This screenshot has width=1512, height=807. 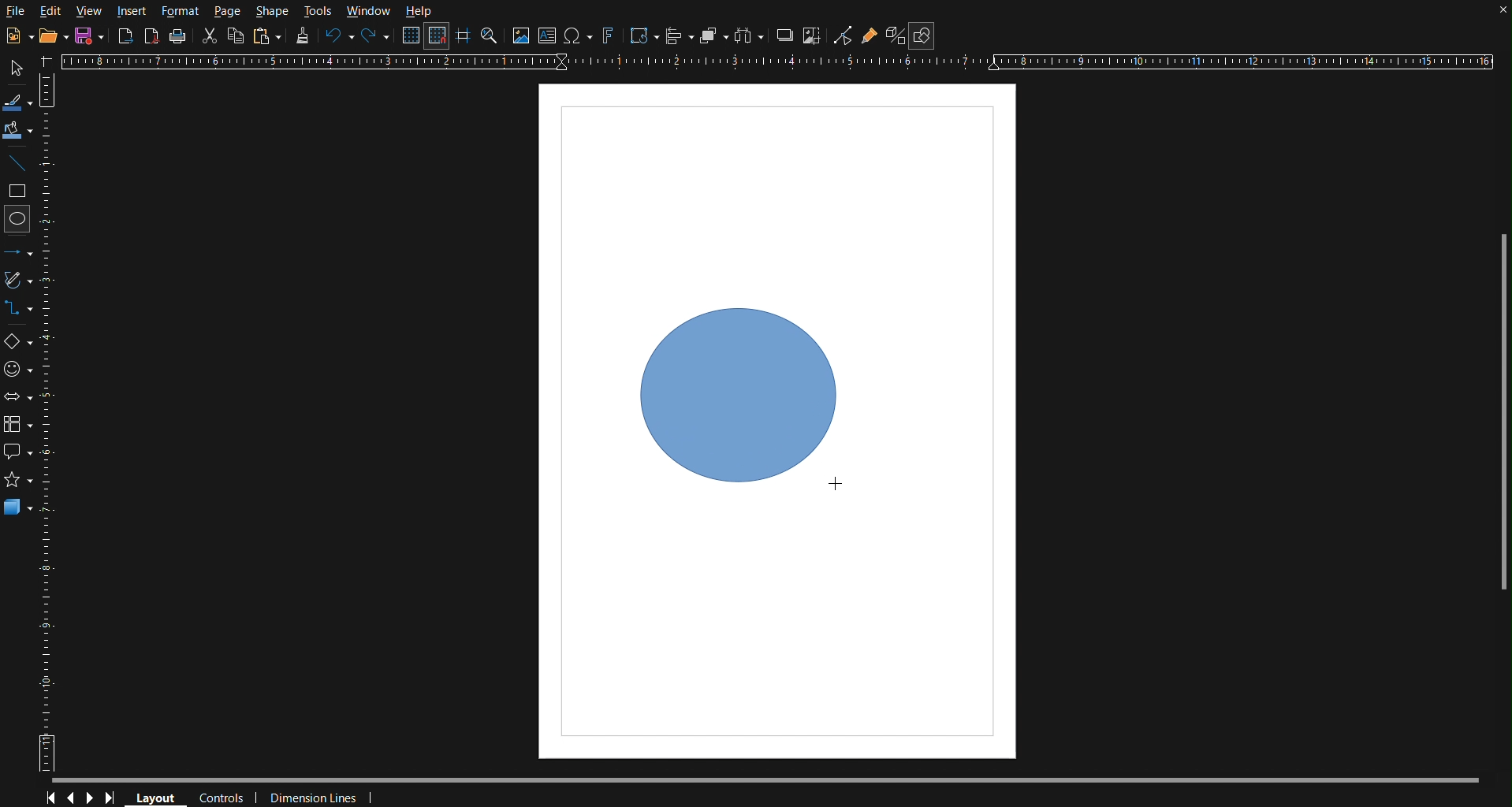 What do you see at coordinates (754, 37) in the screenshot?
I see `Distribute objects` at bounding box center [754, 37].